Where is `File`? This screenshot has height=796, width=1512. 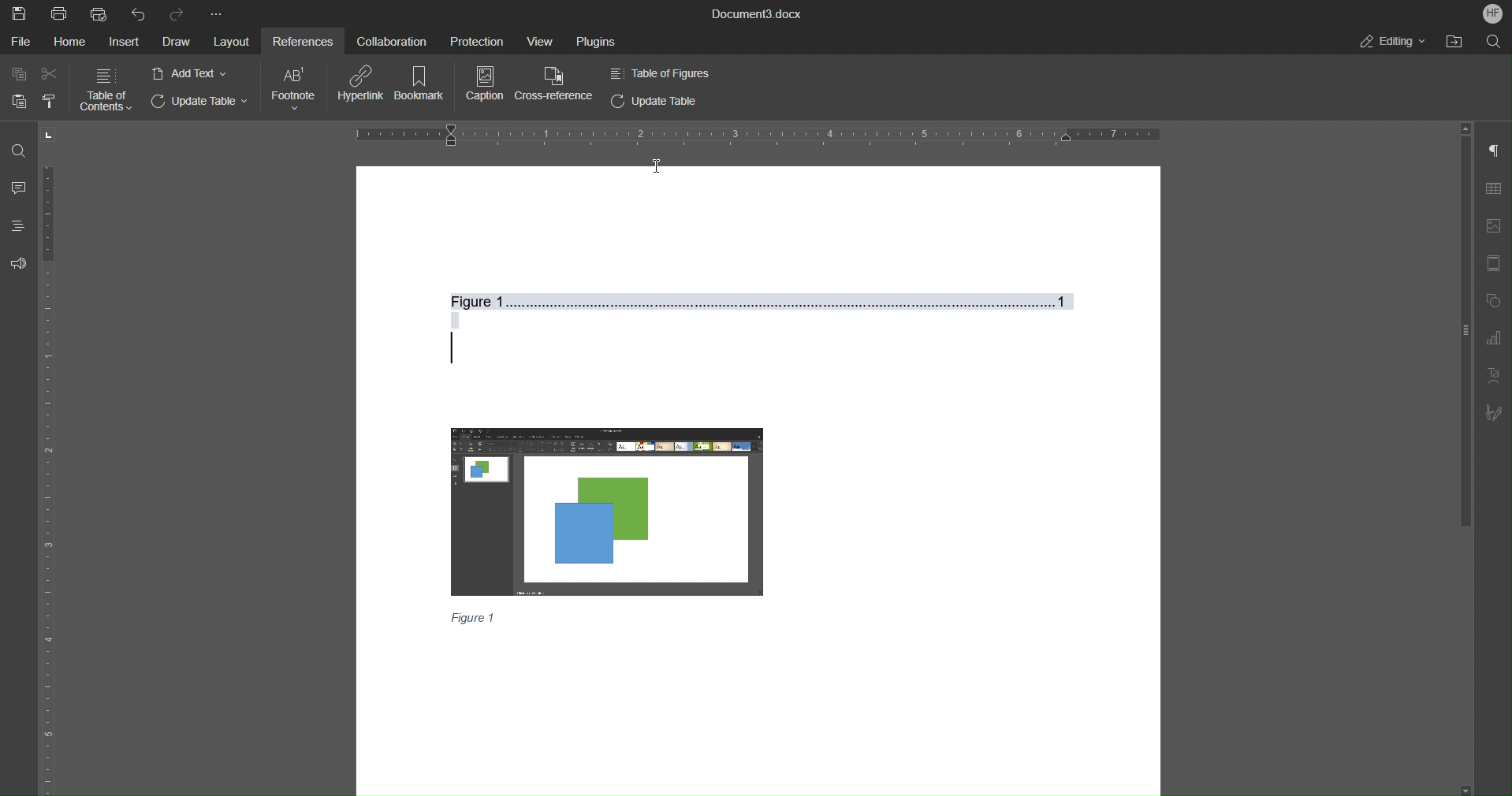 File is located at coordinates (23, 42).